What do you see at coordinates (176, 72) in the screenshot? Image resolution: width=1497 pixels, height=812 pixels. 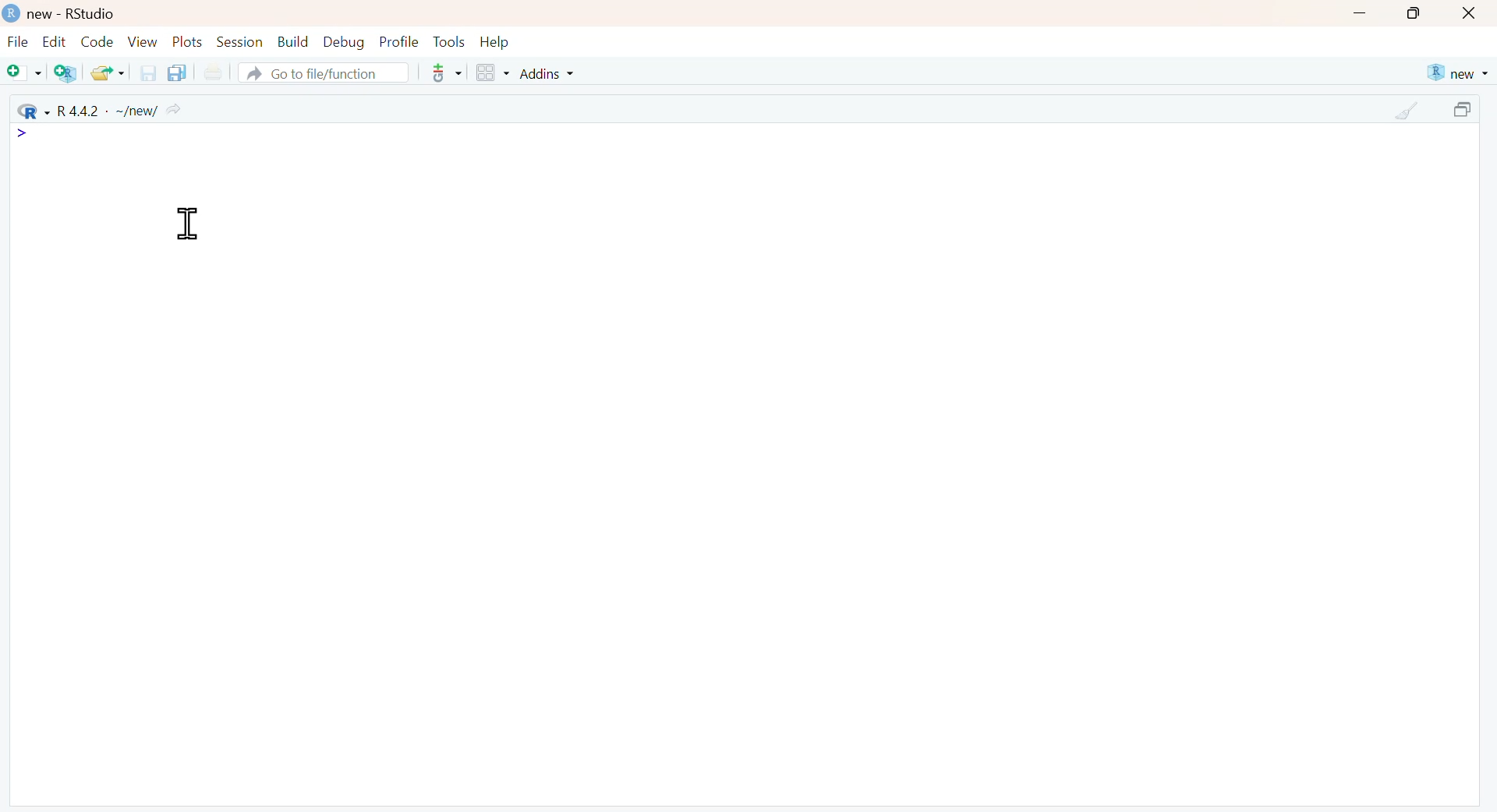 I see `Save all the open documents` at bounding box center [176, 72].